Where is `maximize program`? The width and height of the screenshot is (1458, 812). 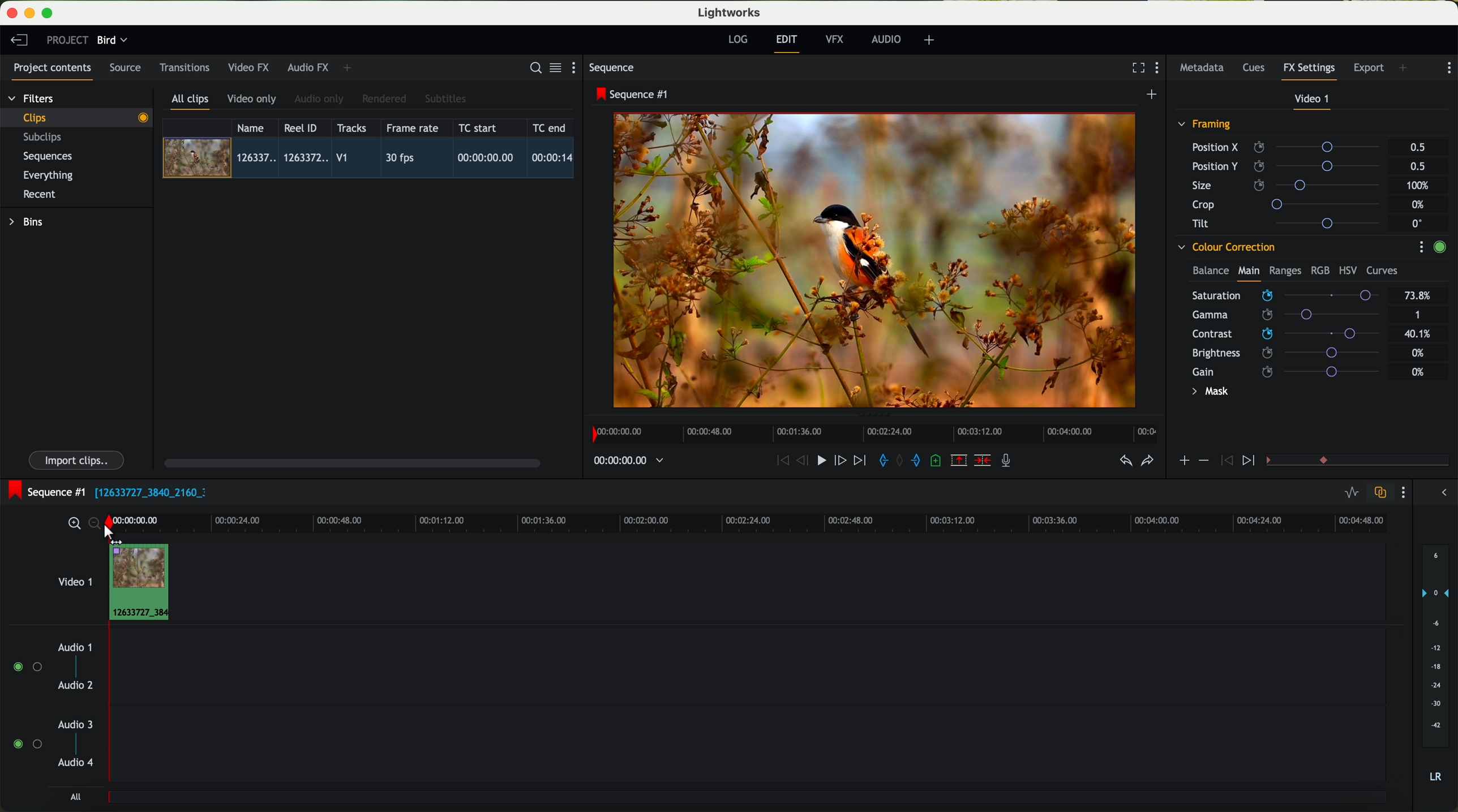
maximize program is located at coordinates (49, 14).